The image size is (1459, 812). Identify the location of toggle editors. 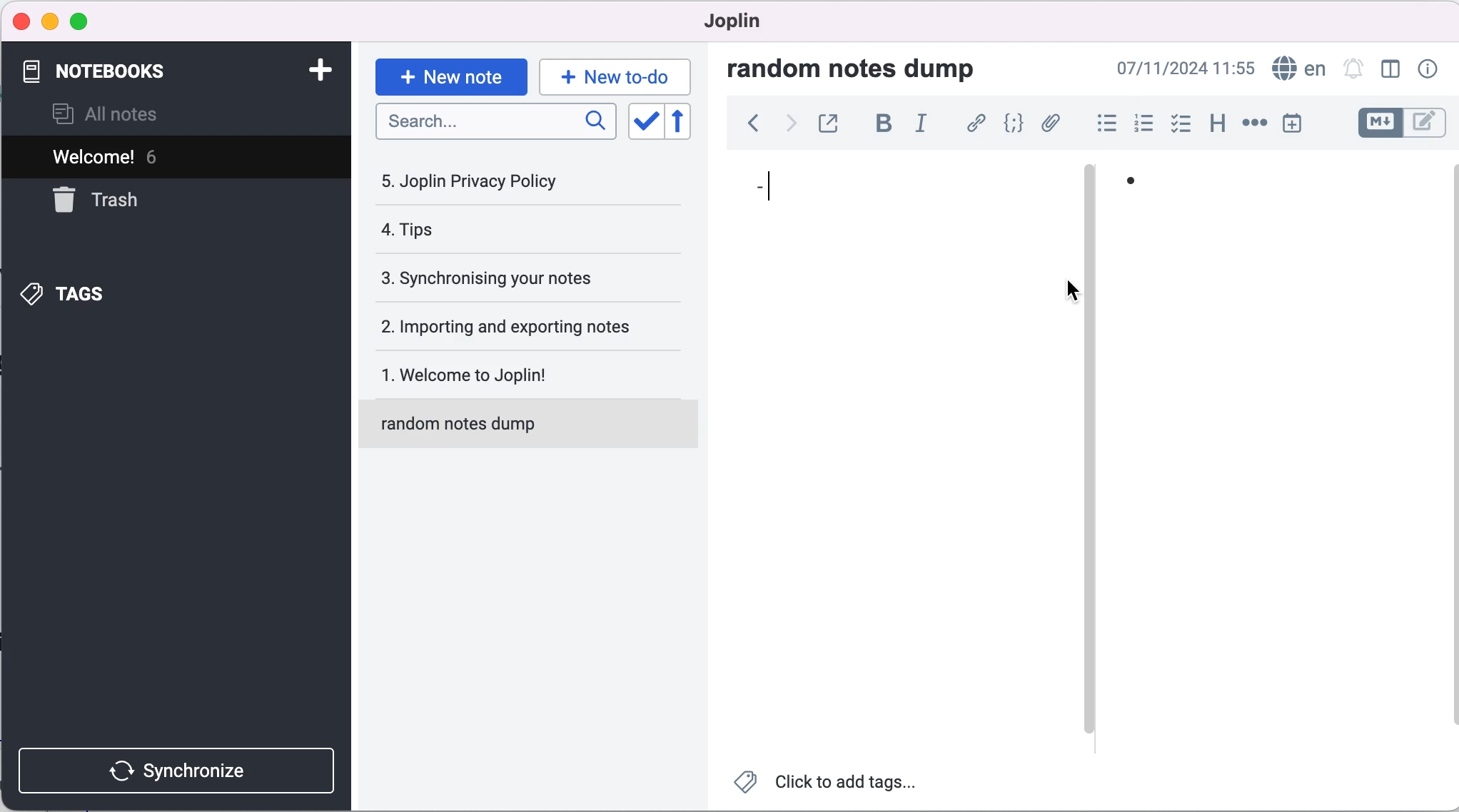
(1400, 125).